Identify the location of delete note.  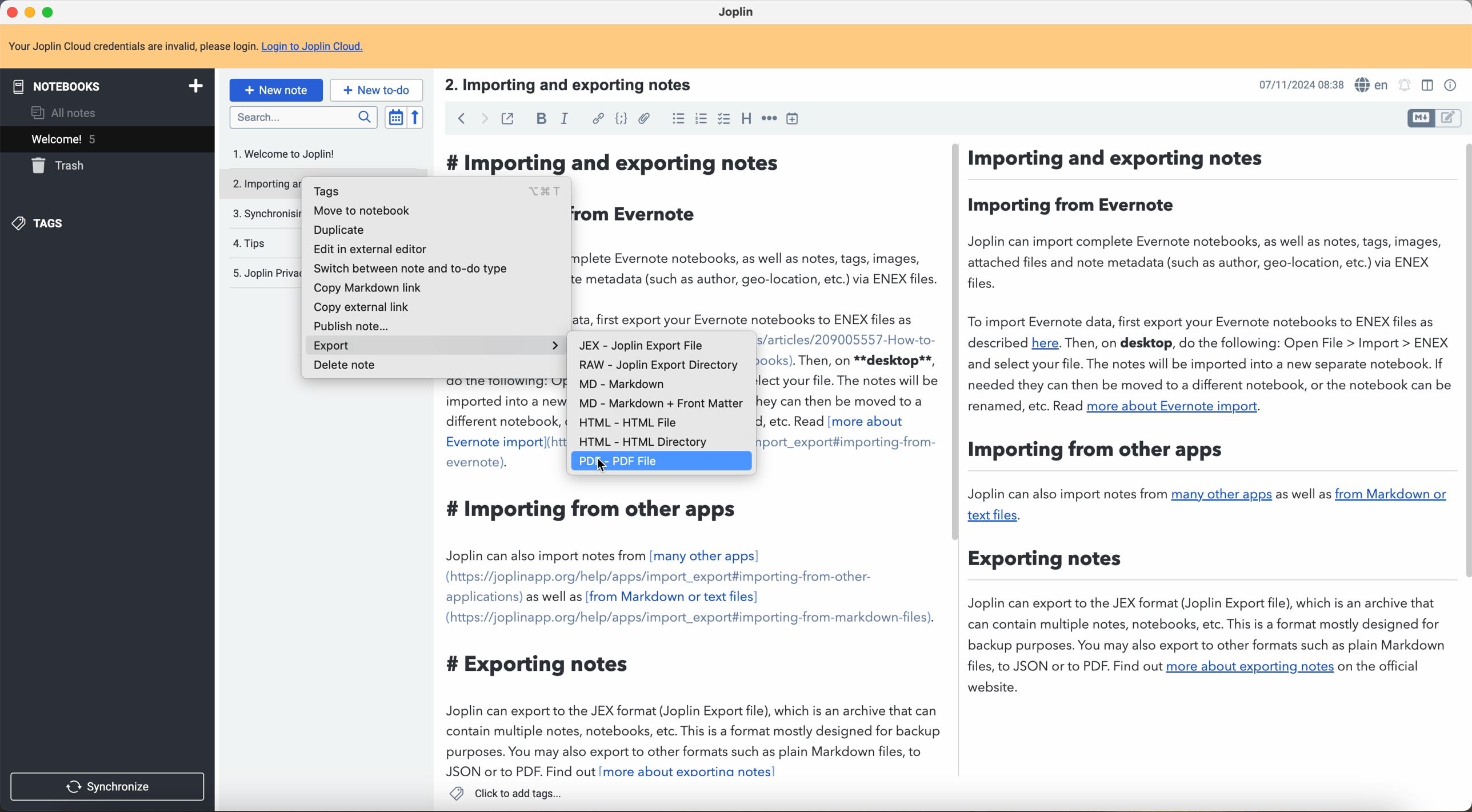
(352, 369).